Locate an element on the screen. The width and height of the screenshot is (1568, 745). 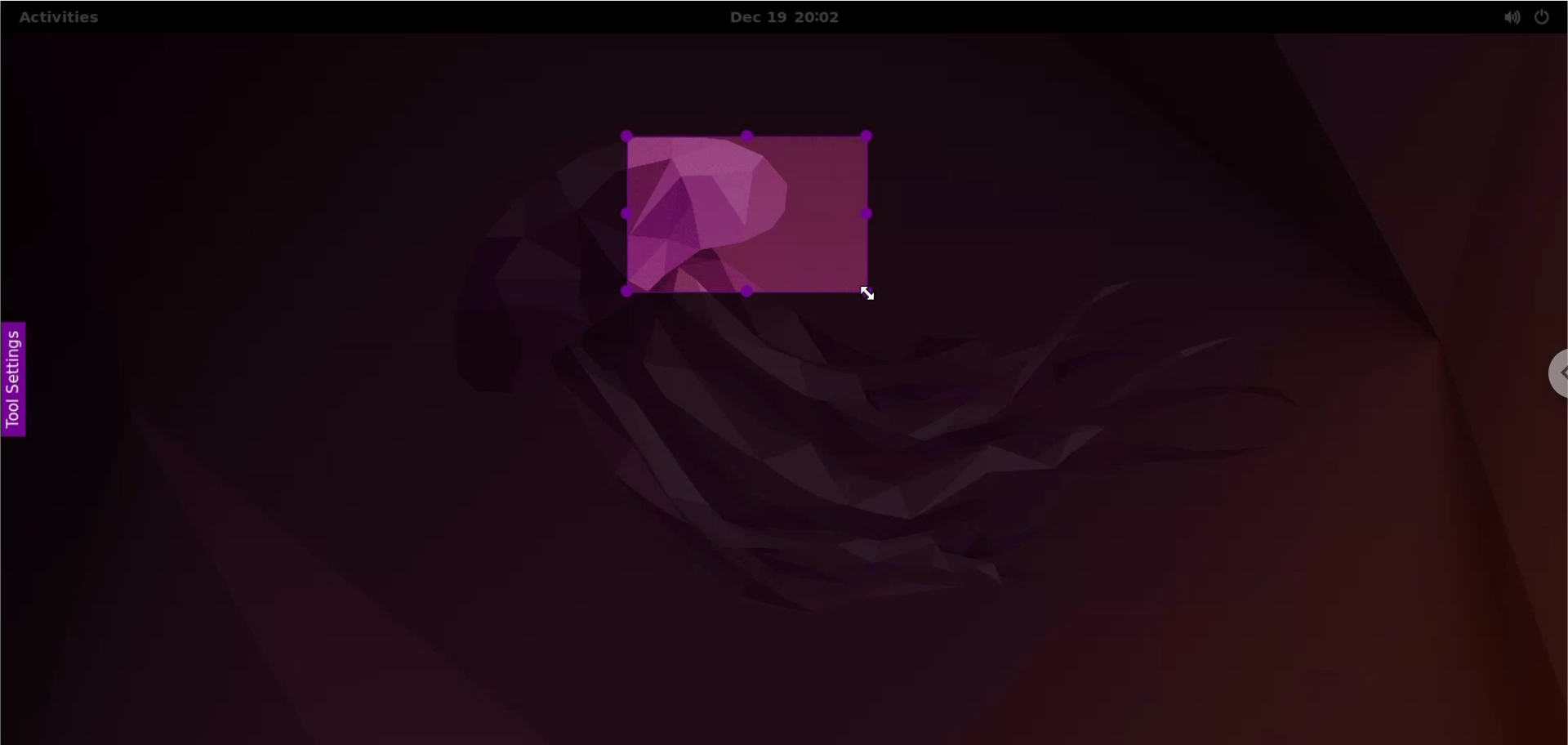
chrome options is located at coordinates (1552, 377).